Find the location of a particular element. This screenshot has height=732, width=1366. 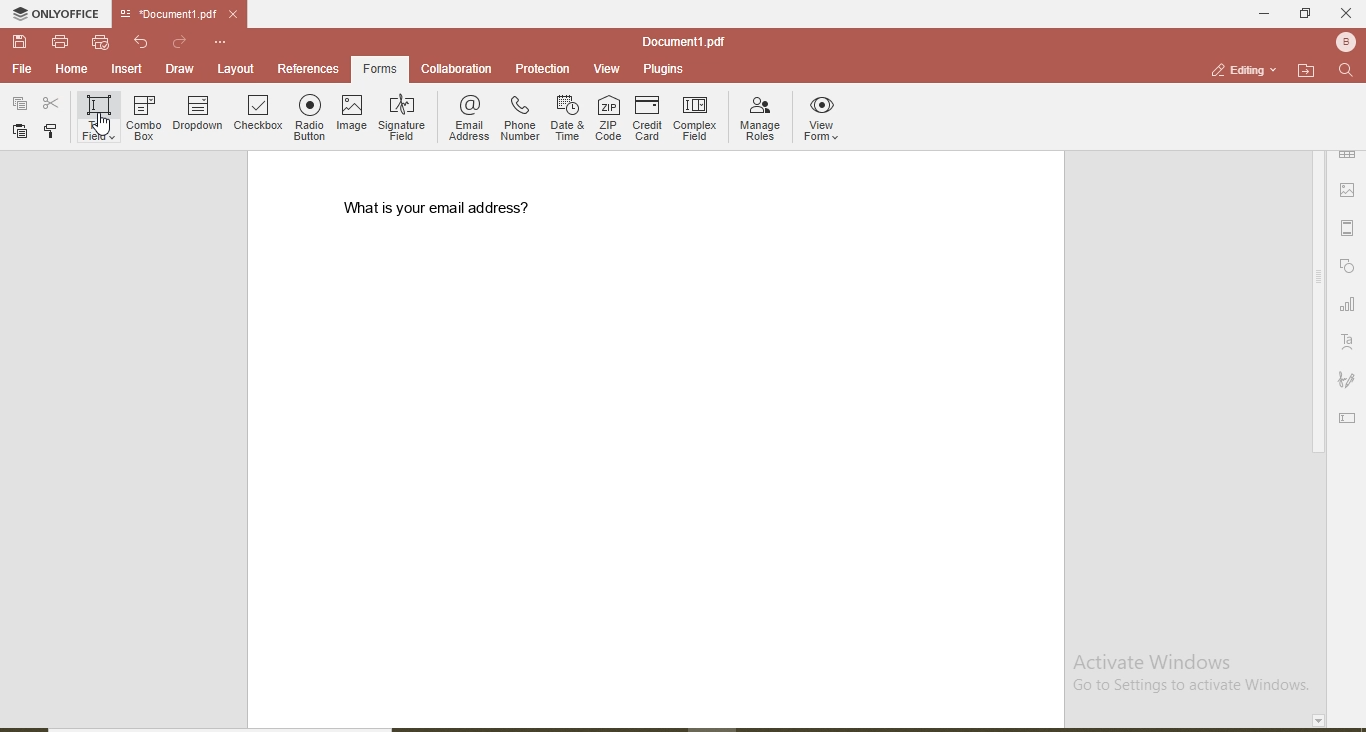

text field is located at coordinates (96, 116).